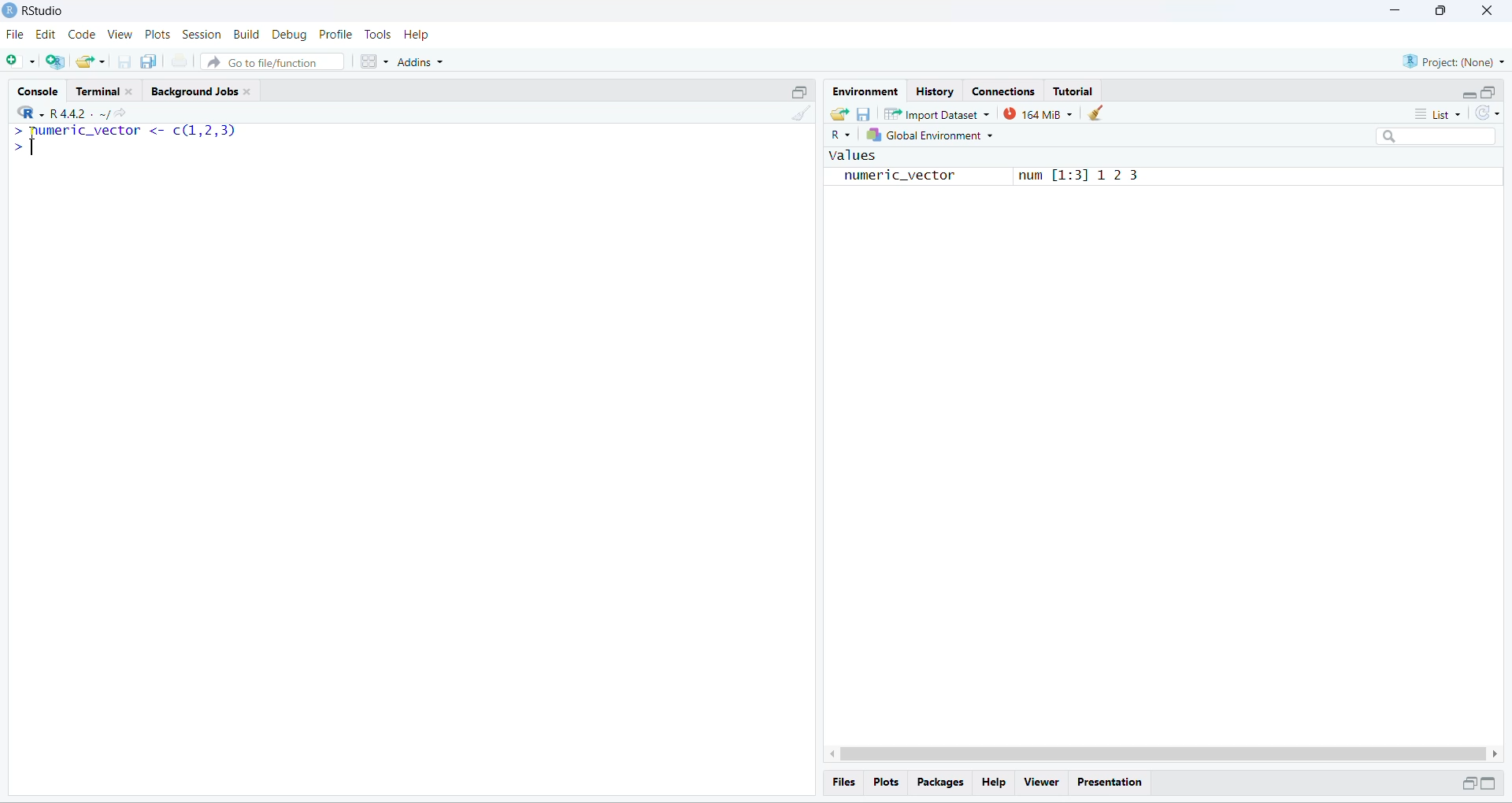  What do you see at coordinates (202, 35) in the screenshot?
I see `Session` at bounding box center [202, 35].